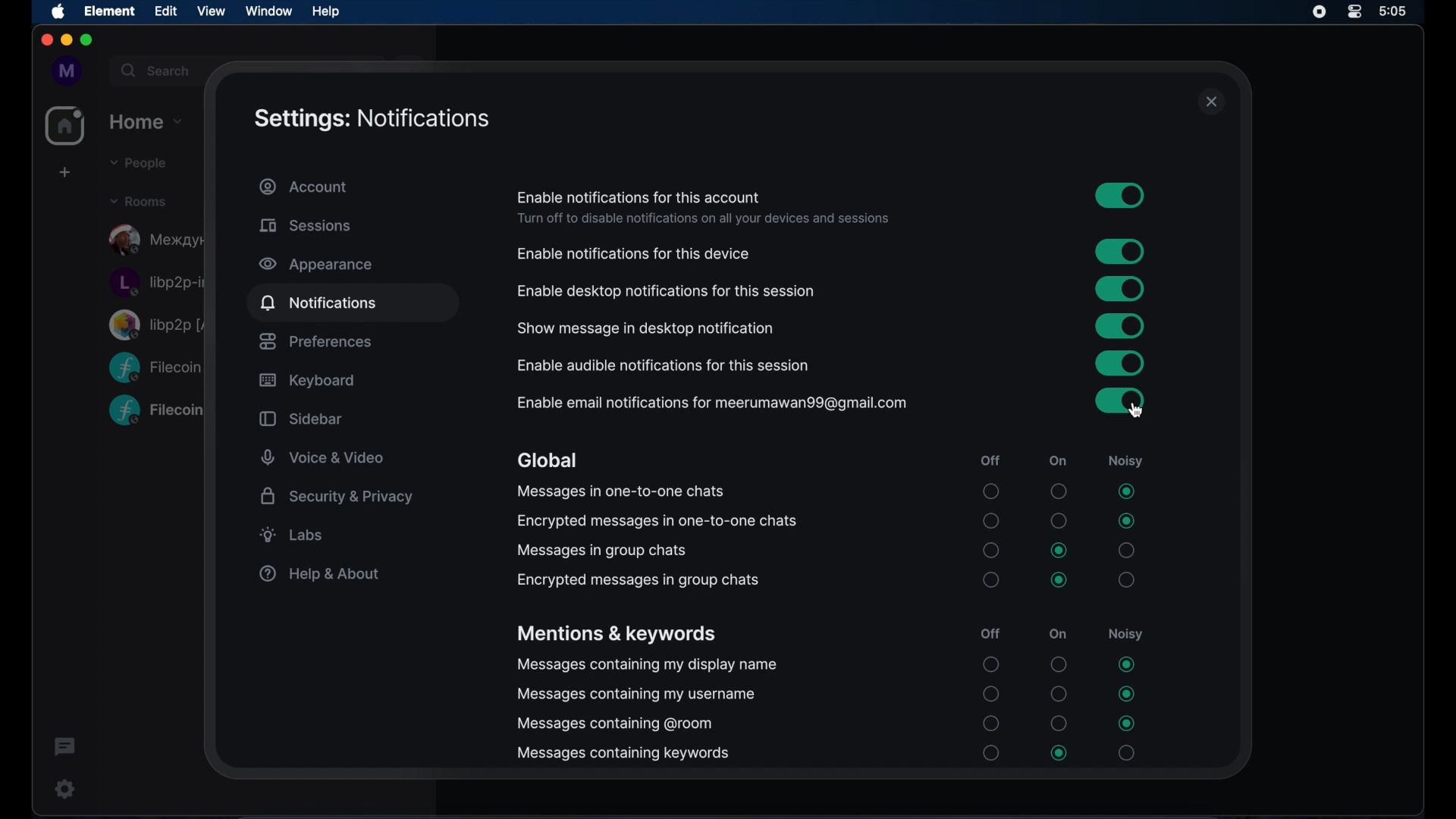 The image size is (1456, 819). I want to click on toggle button, so click(1120, 195).